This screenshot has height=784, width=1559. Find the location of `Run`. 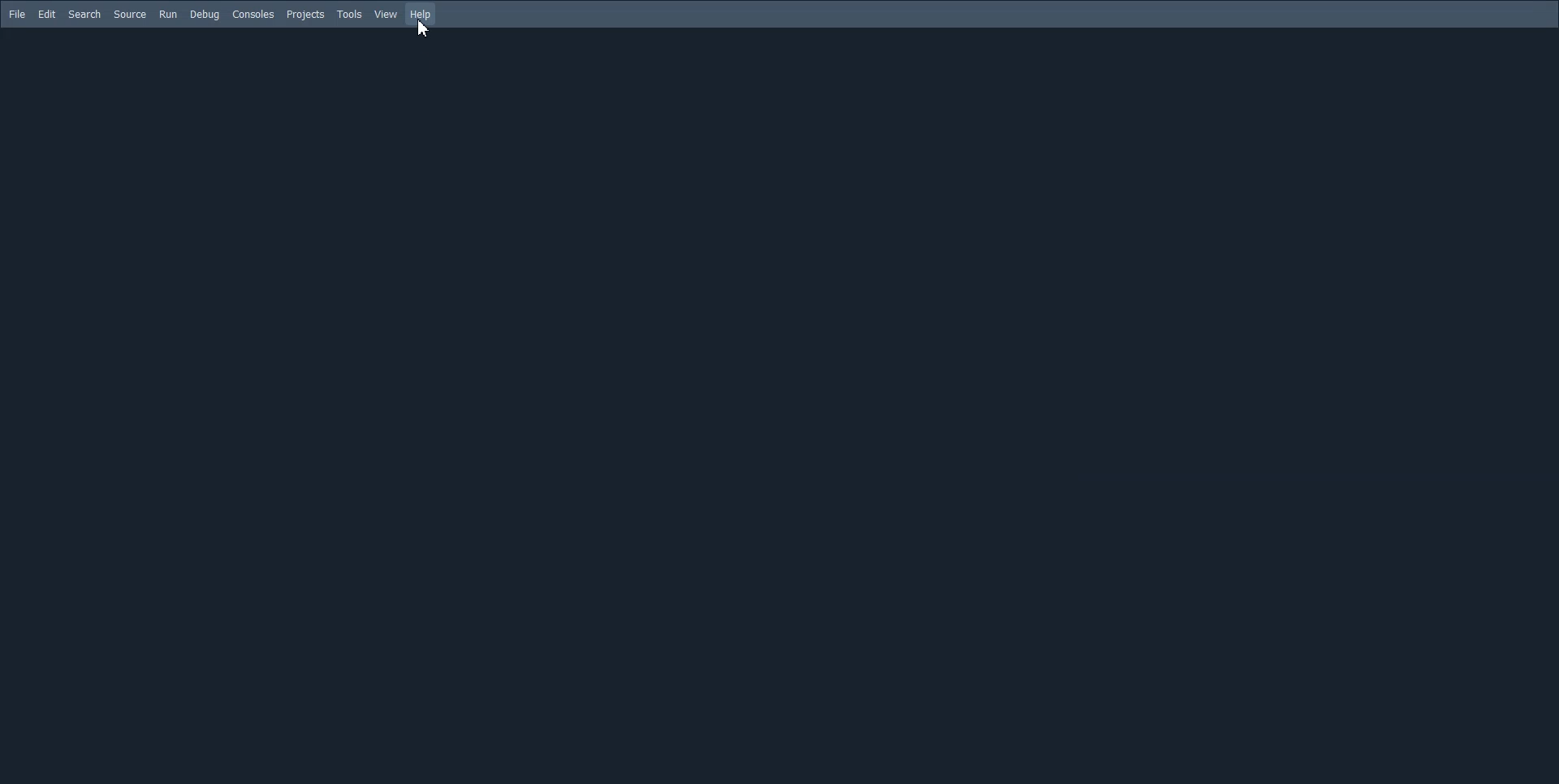

Run is located at coordinates (168, 15).